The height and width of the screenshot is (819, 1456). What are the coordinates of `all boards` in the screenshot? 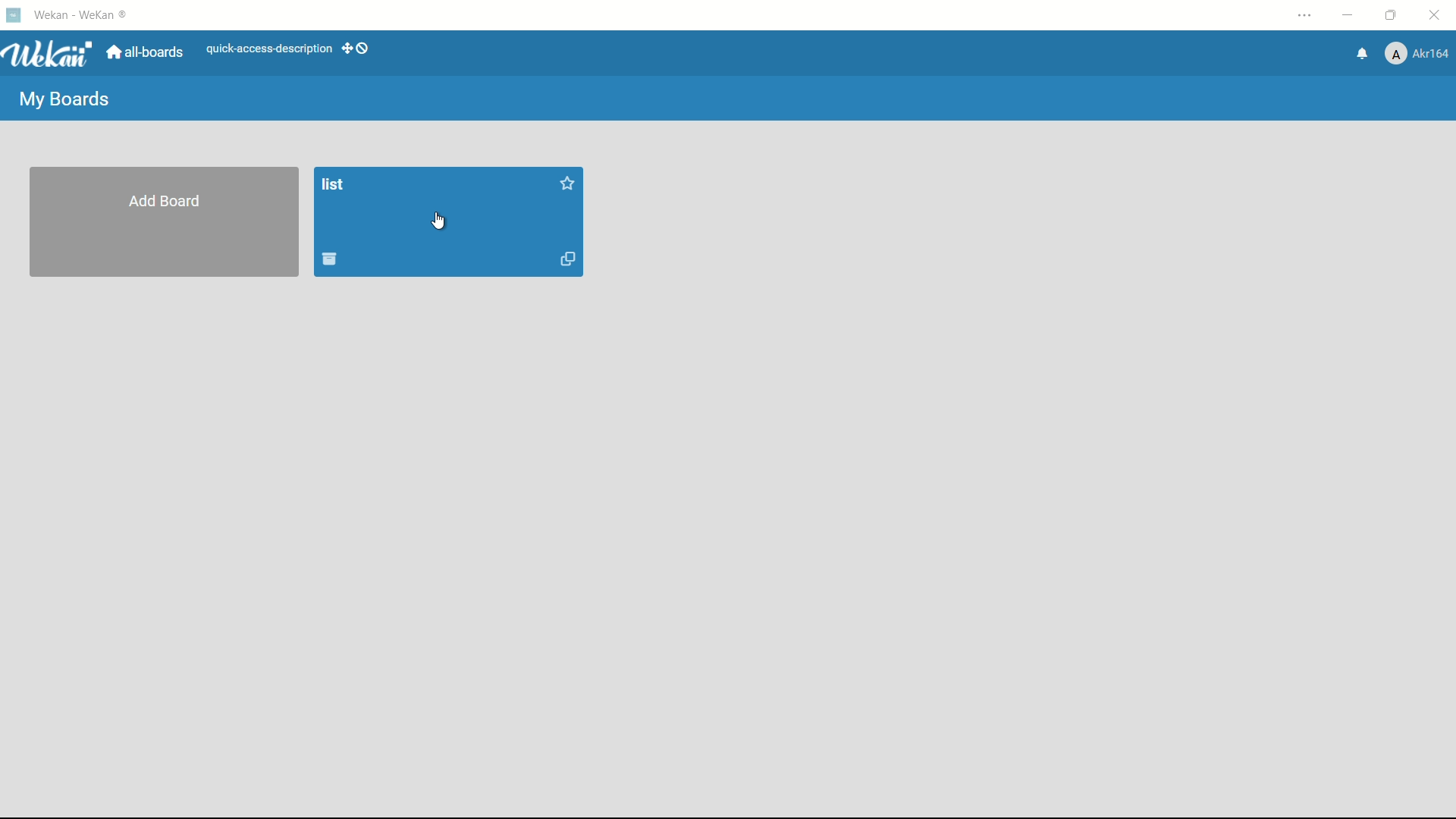 It's located at (144, 52).